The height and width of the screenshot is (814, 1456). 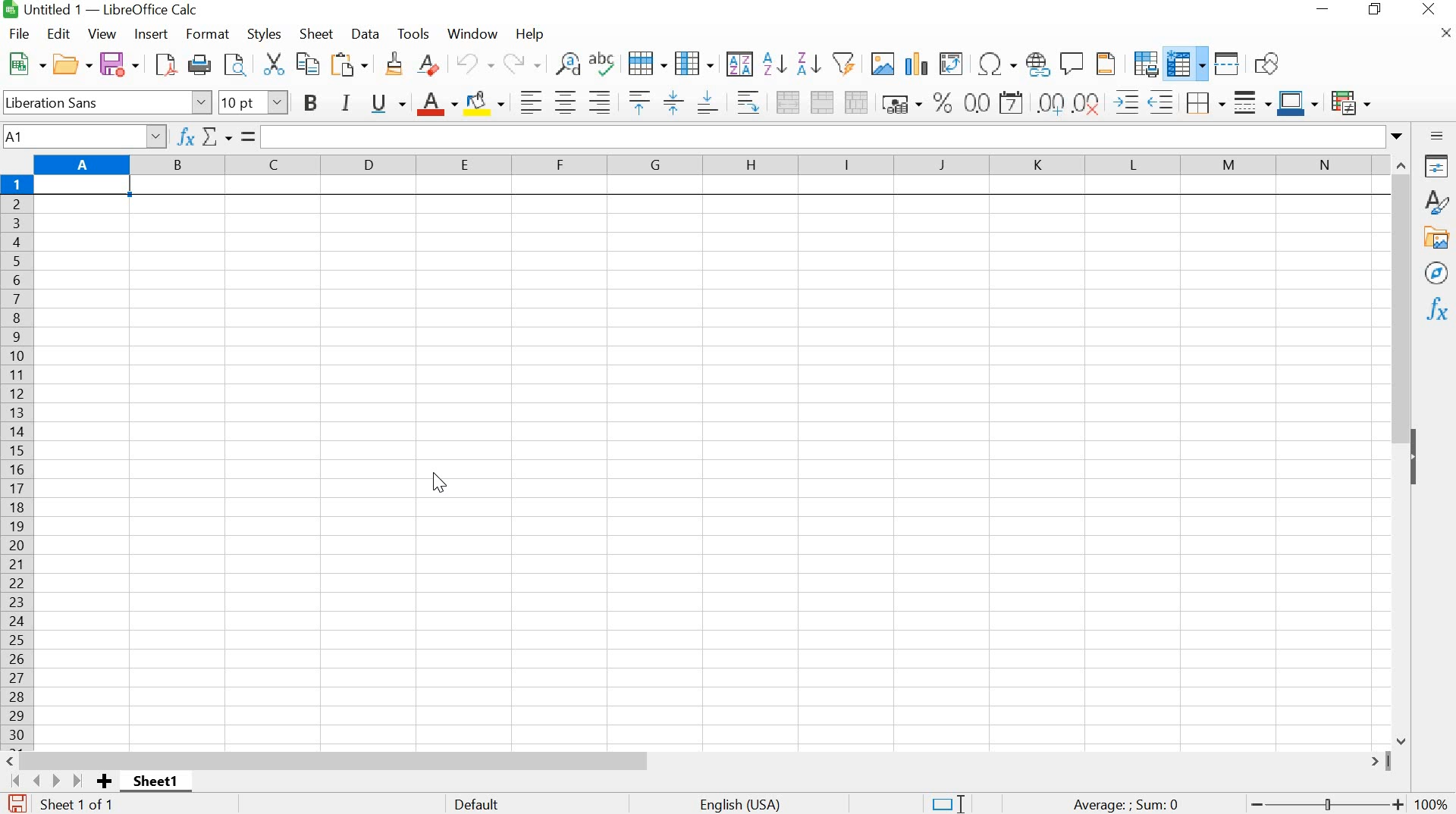 I want to click on FONT SIZE, so click(x=251, y=102).